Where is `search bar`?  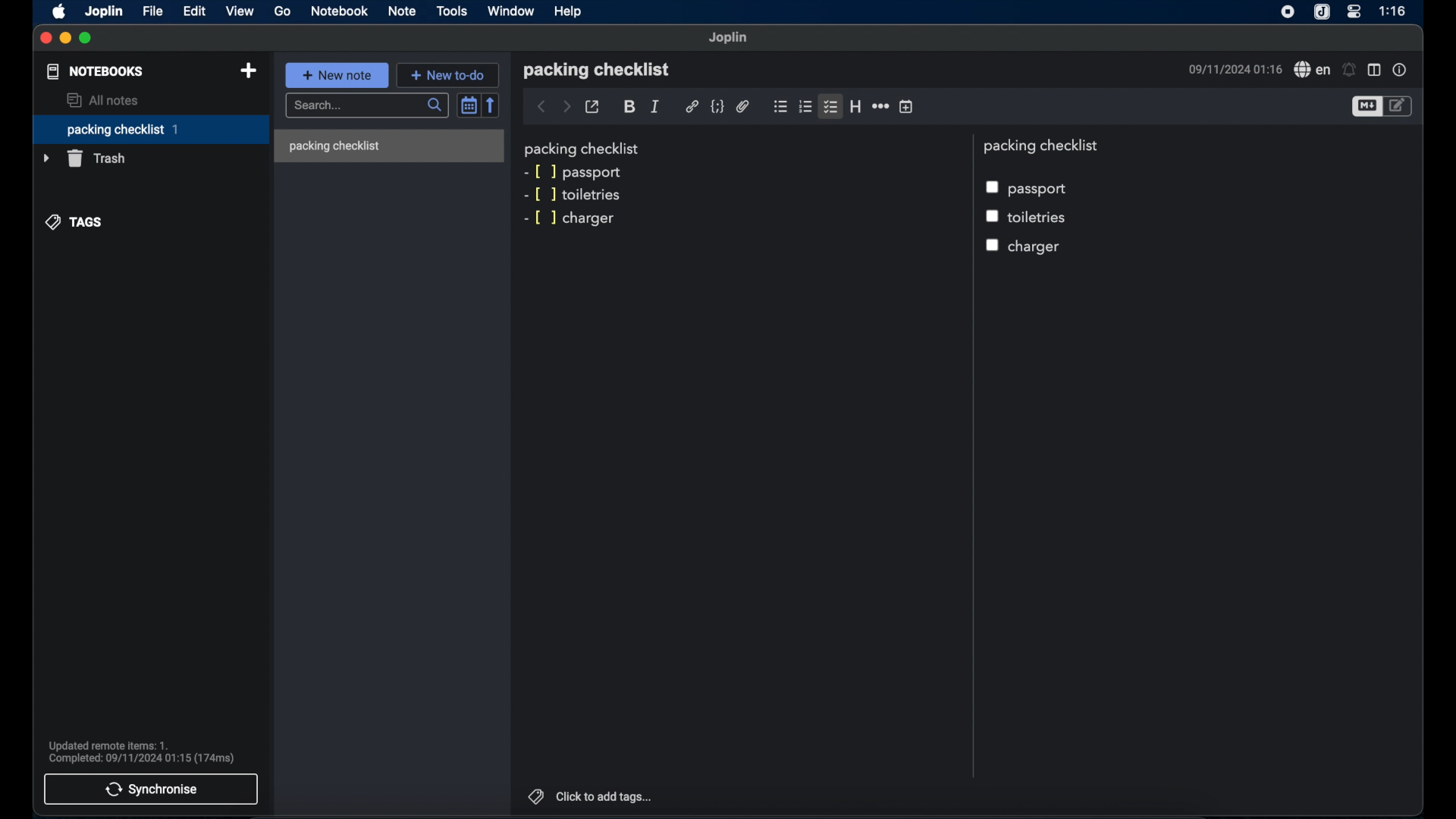
search bar is located at coordinates (366, 105).